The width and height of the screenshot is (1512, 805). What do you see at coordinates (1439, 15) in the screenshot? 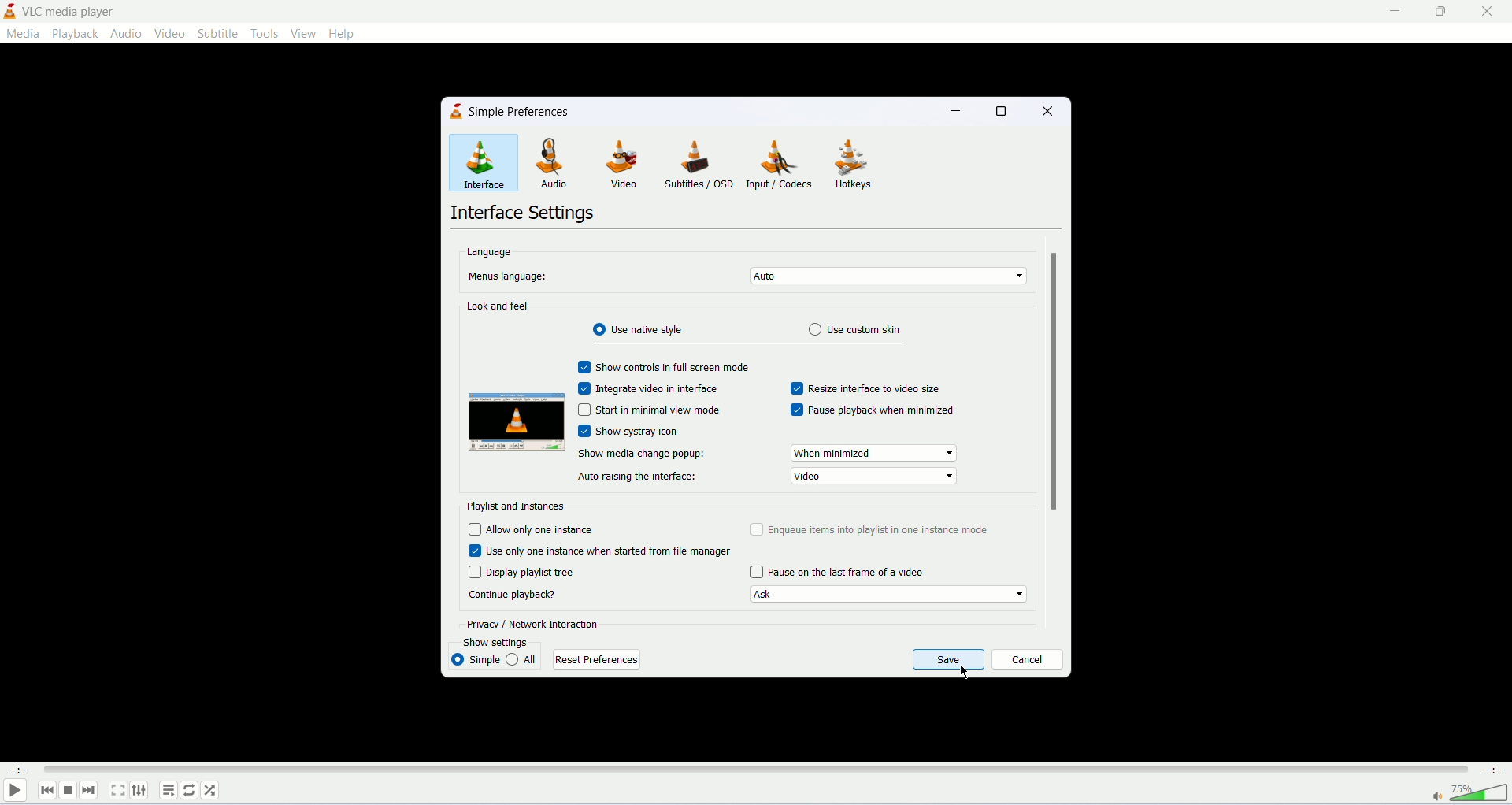
I see `maximize` at bounding box center [1439, 15].